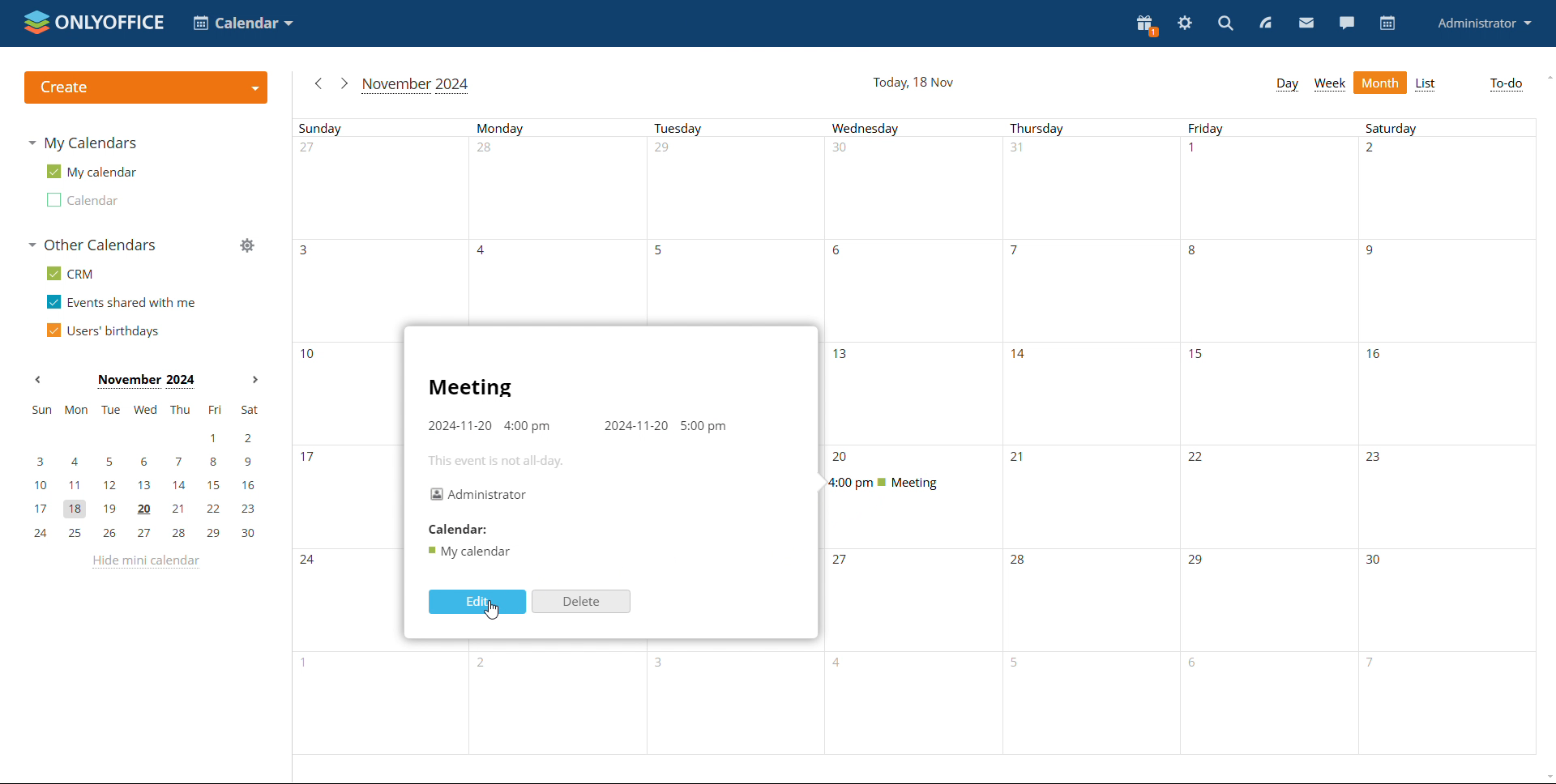 Image resolution: width=1556 pixels, height=784 pixels. Describe the element at coordinates (479, 495) in the screenshot. I see `organiser` at that location.